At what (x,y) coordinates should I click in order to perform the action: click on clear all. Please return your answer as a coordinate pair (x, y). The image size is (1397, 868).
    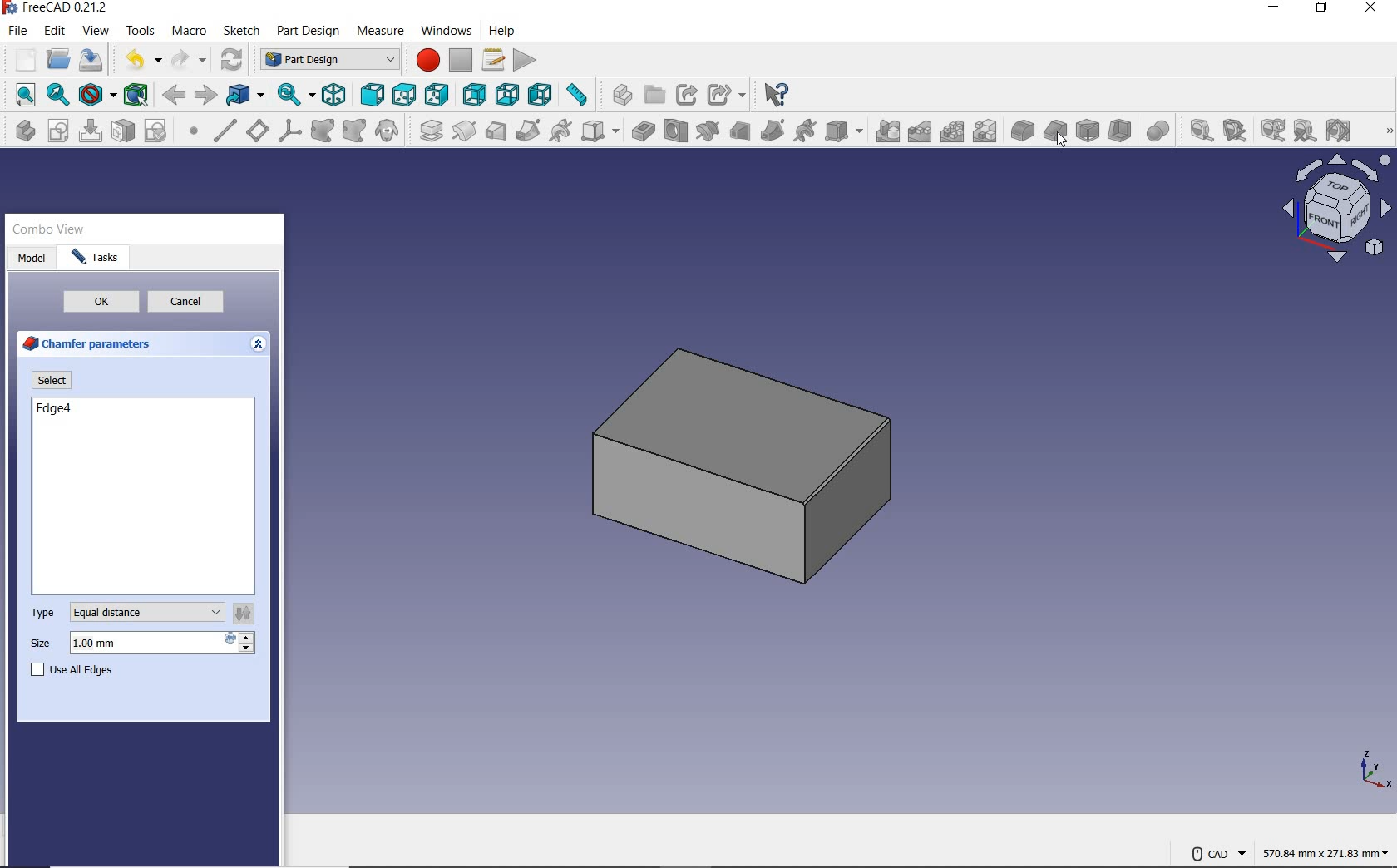
    Looking at the image, I should click on (1306, 131).